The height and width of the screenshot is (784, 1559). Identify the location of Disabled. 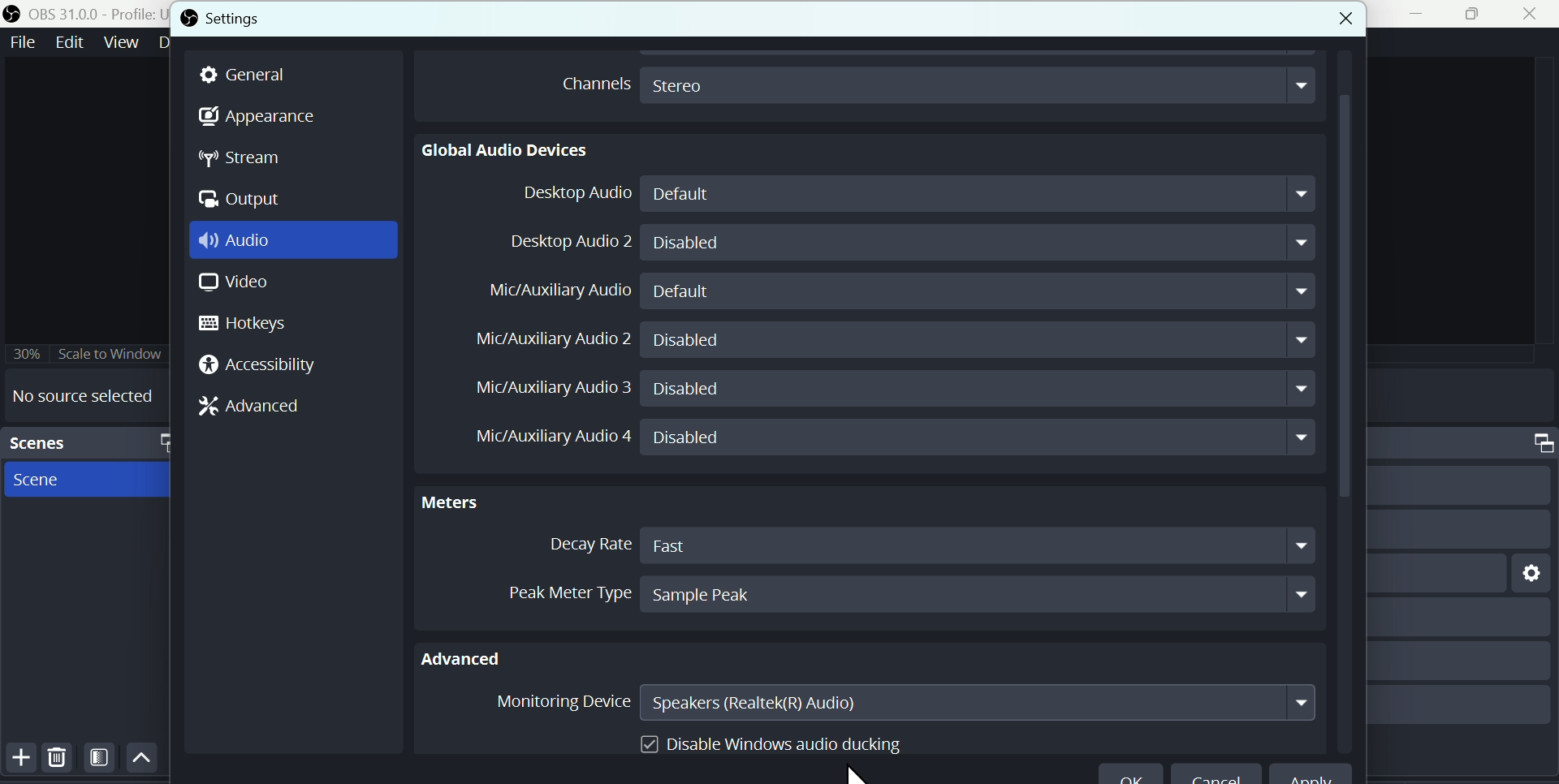
(978, 338).